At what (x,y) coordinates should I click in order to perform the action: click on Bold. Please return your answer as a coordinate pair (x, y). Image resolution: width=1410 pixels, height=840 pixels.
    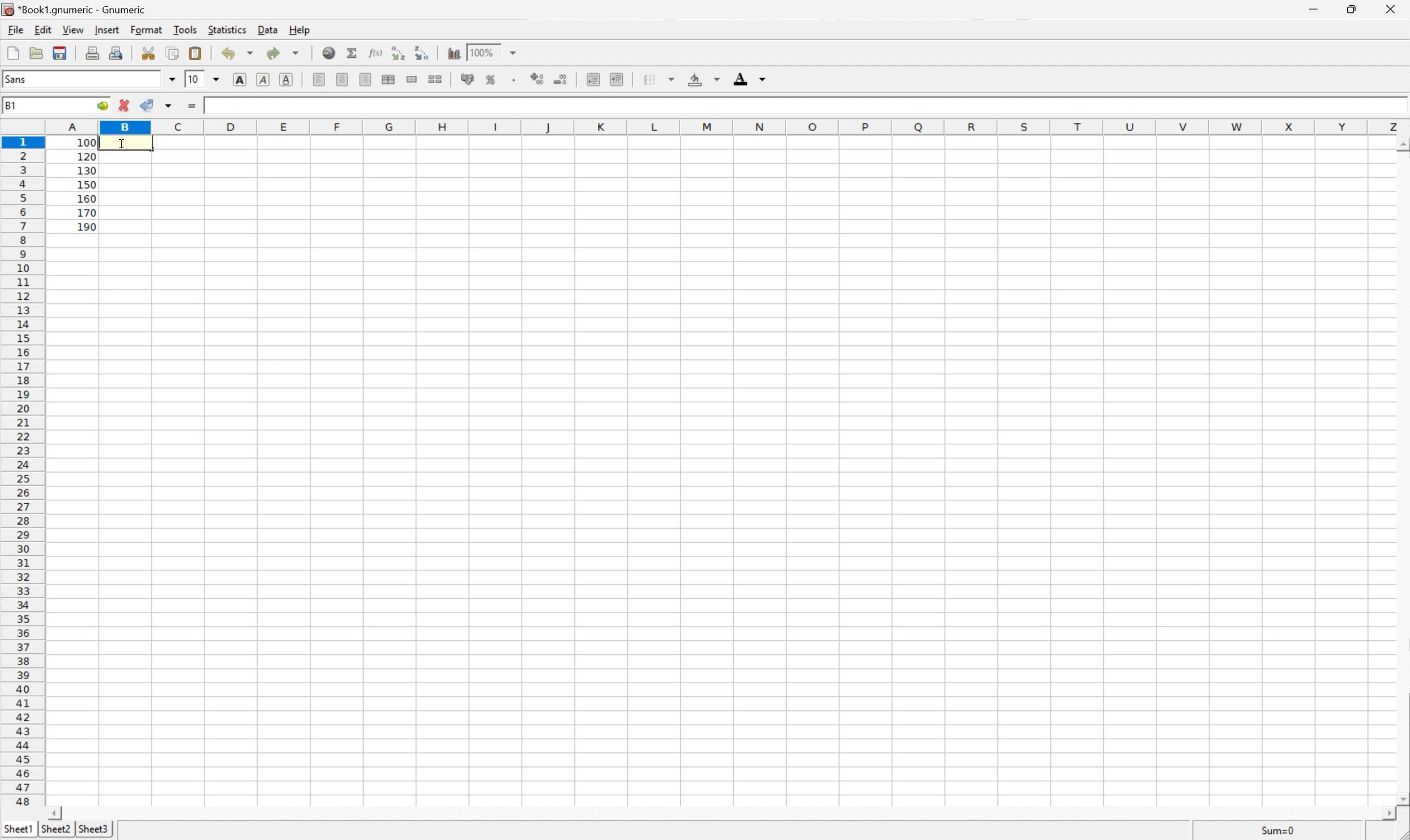
    Looking at the image, I should click on (241, 82).